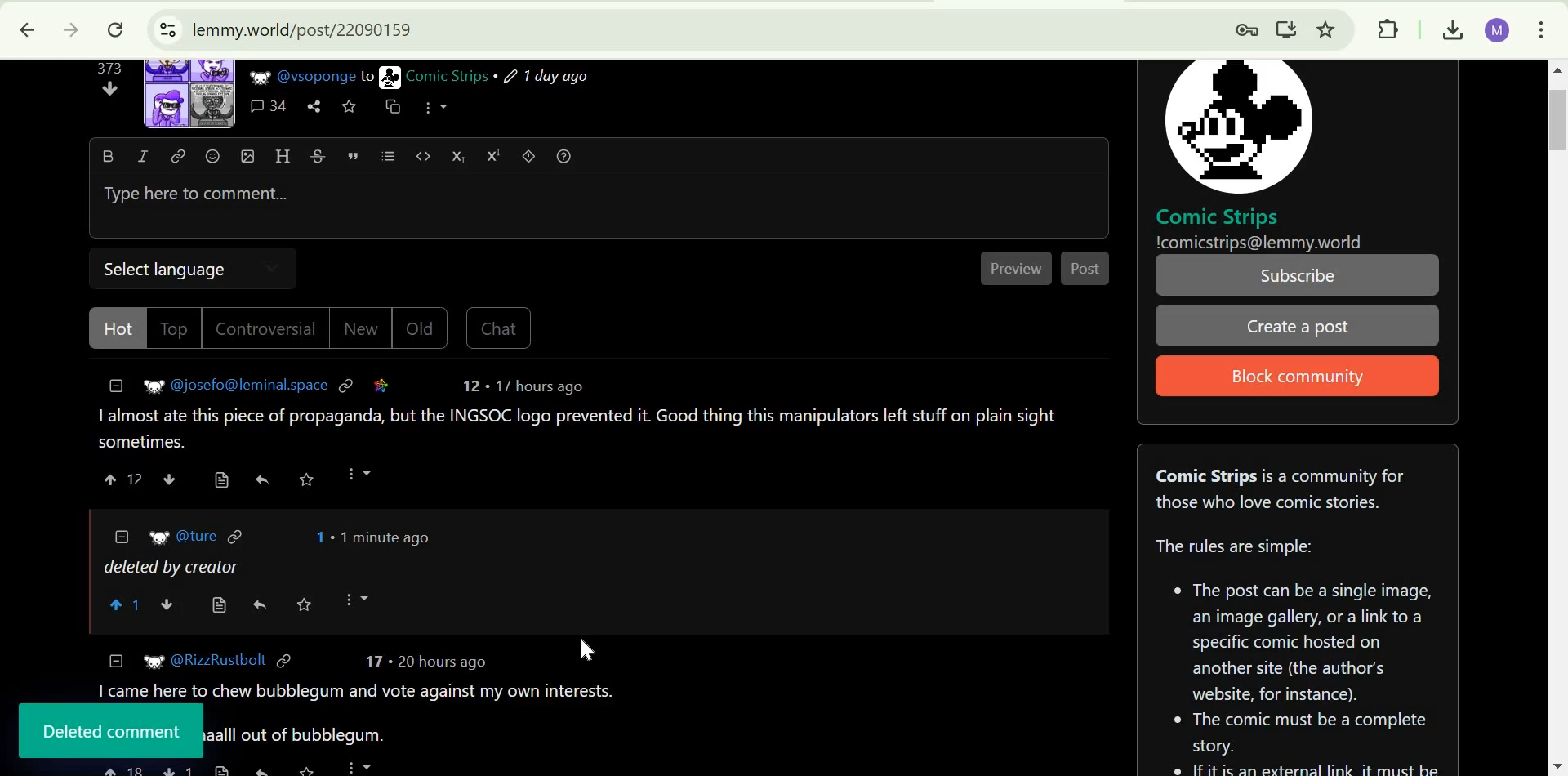  Describe the element at coordinates (390, 77) in the screenshot. I see `picture` at that location.